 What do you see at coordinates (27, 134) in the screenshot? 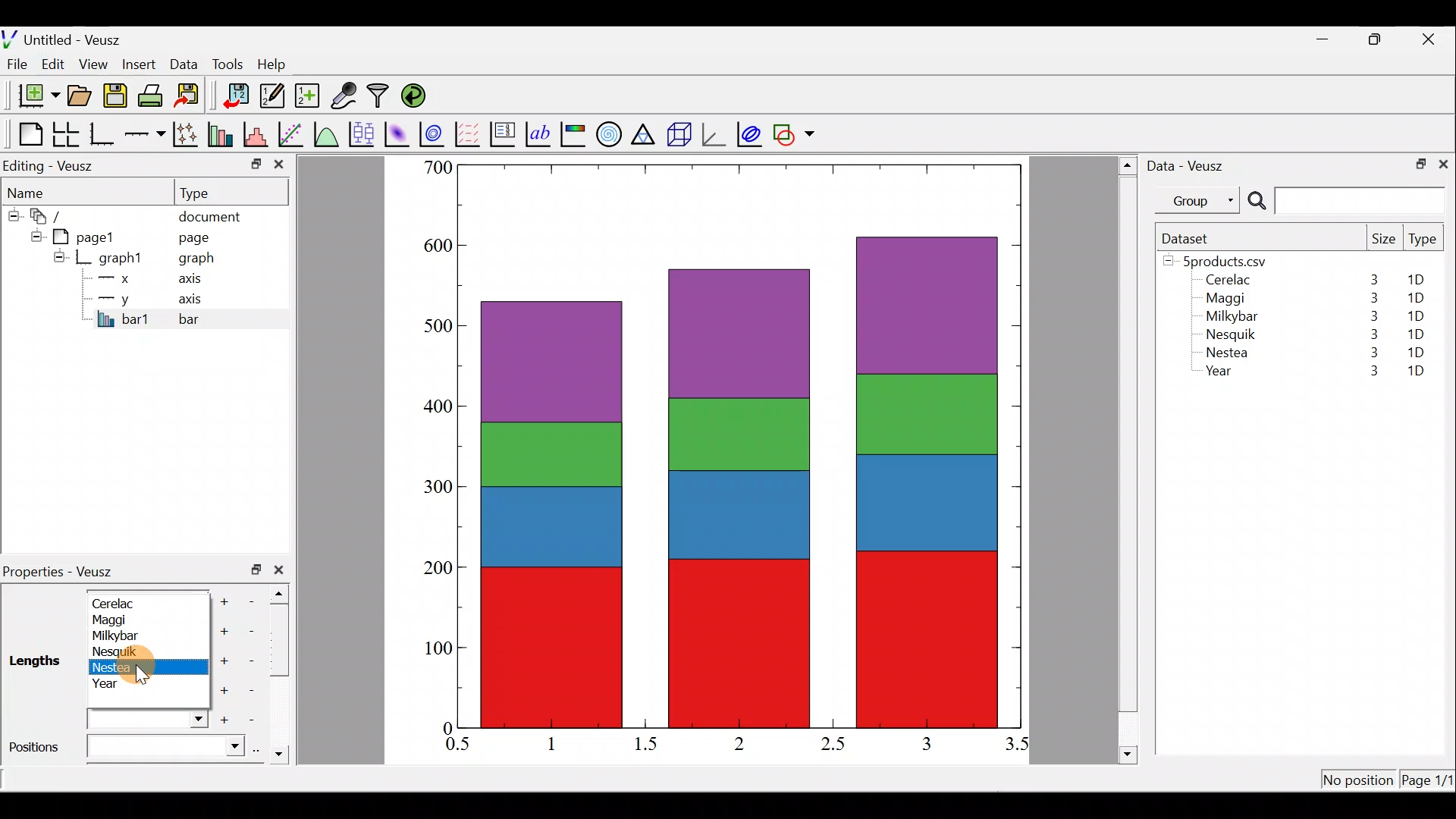
I see `Blank page` at bounding box center [27, 134].